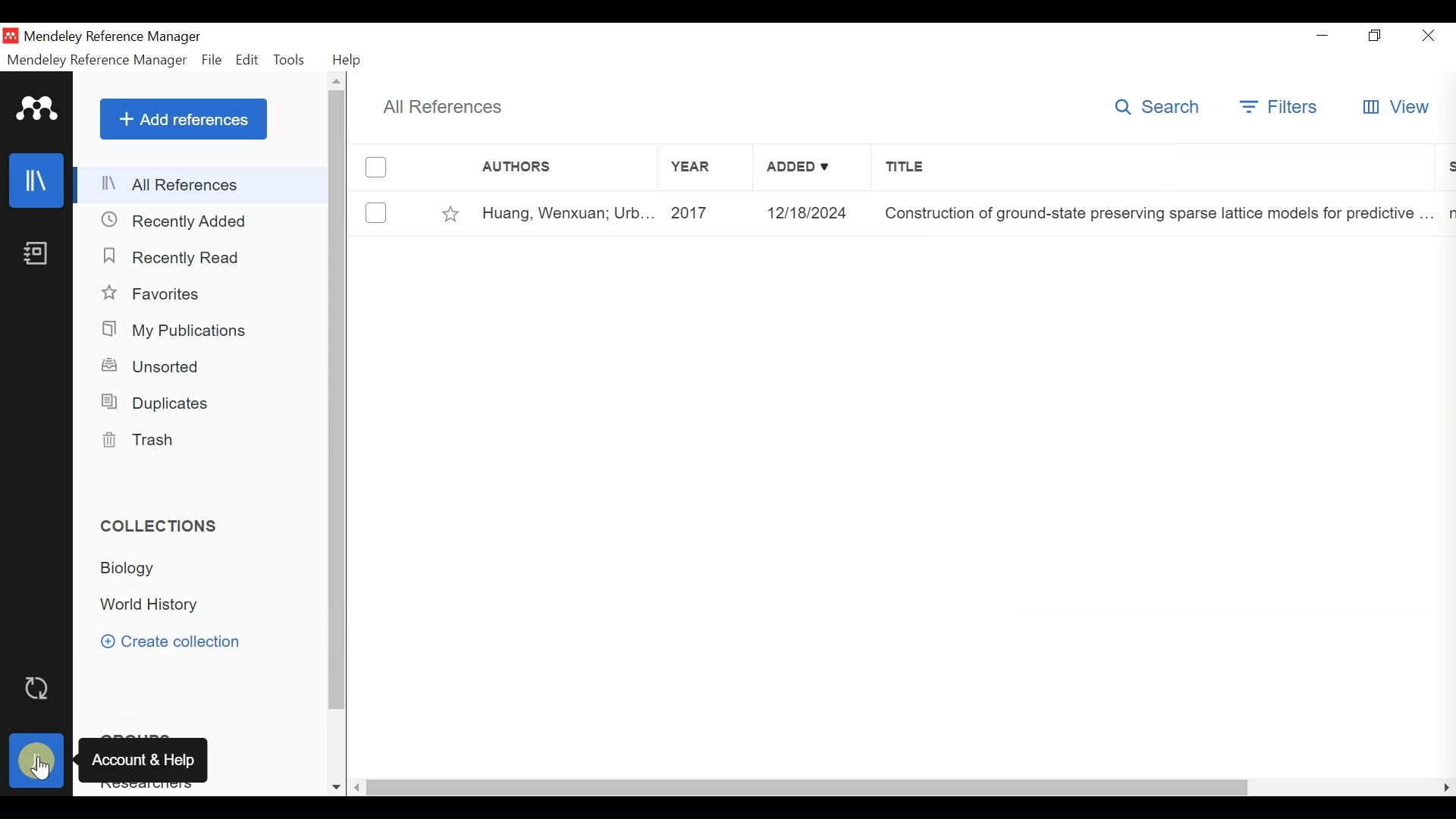  Describe the element at coordinates (175, 642) in the screenshot. I see `Create Collection` at that location.